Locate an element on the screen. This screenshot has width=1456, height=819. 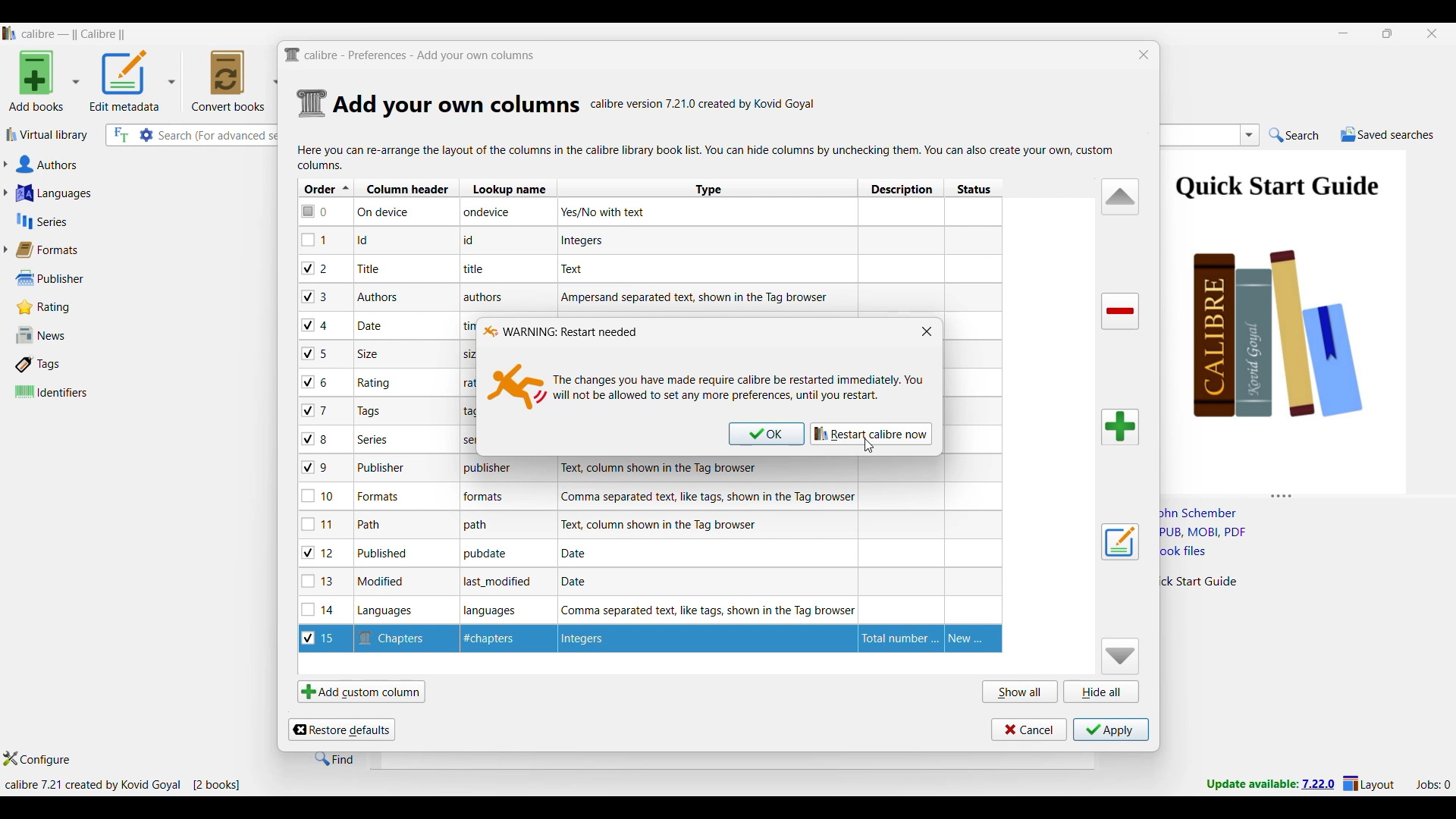
Input search here is located at coordinates (220, 136).